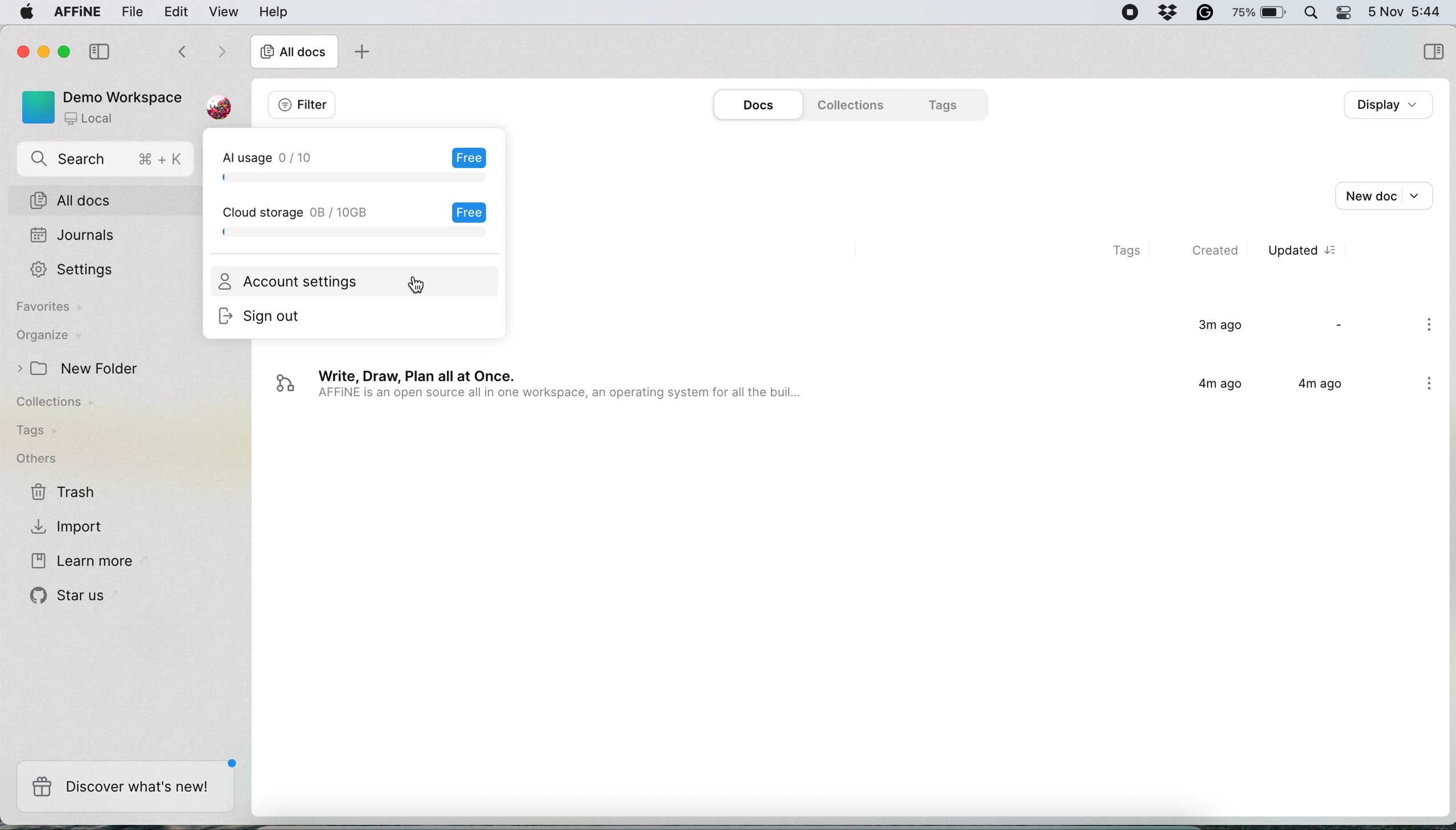 This screenshot has width=1456, height=830. What do you see at coordinates (1343, 13) in the screenshot?
I see `control center` at bounding box center [1343, 13].